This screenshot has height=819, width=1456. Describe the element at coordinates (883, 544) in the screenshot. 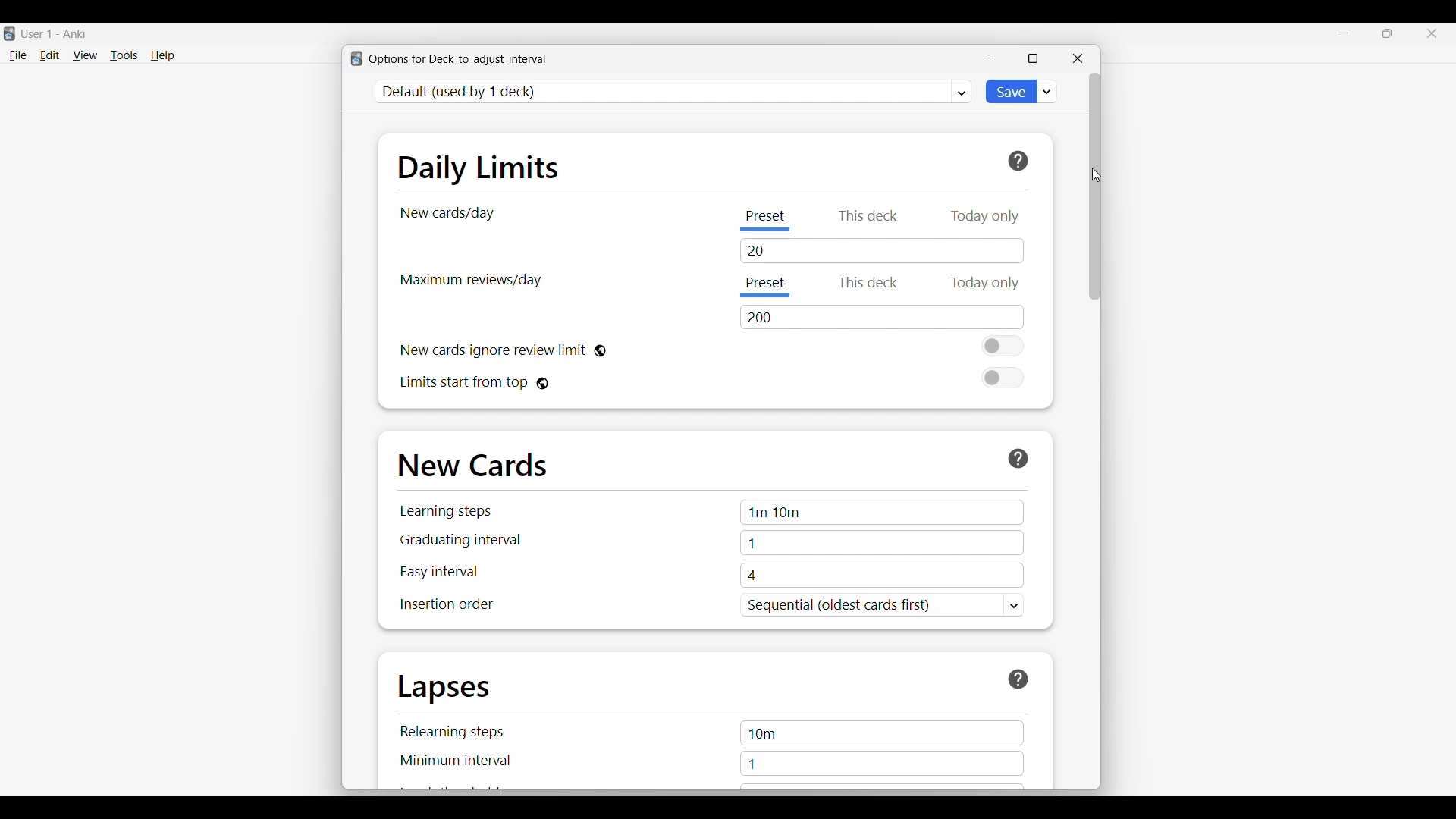

I see `1` at that location.